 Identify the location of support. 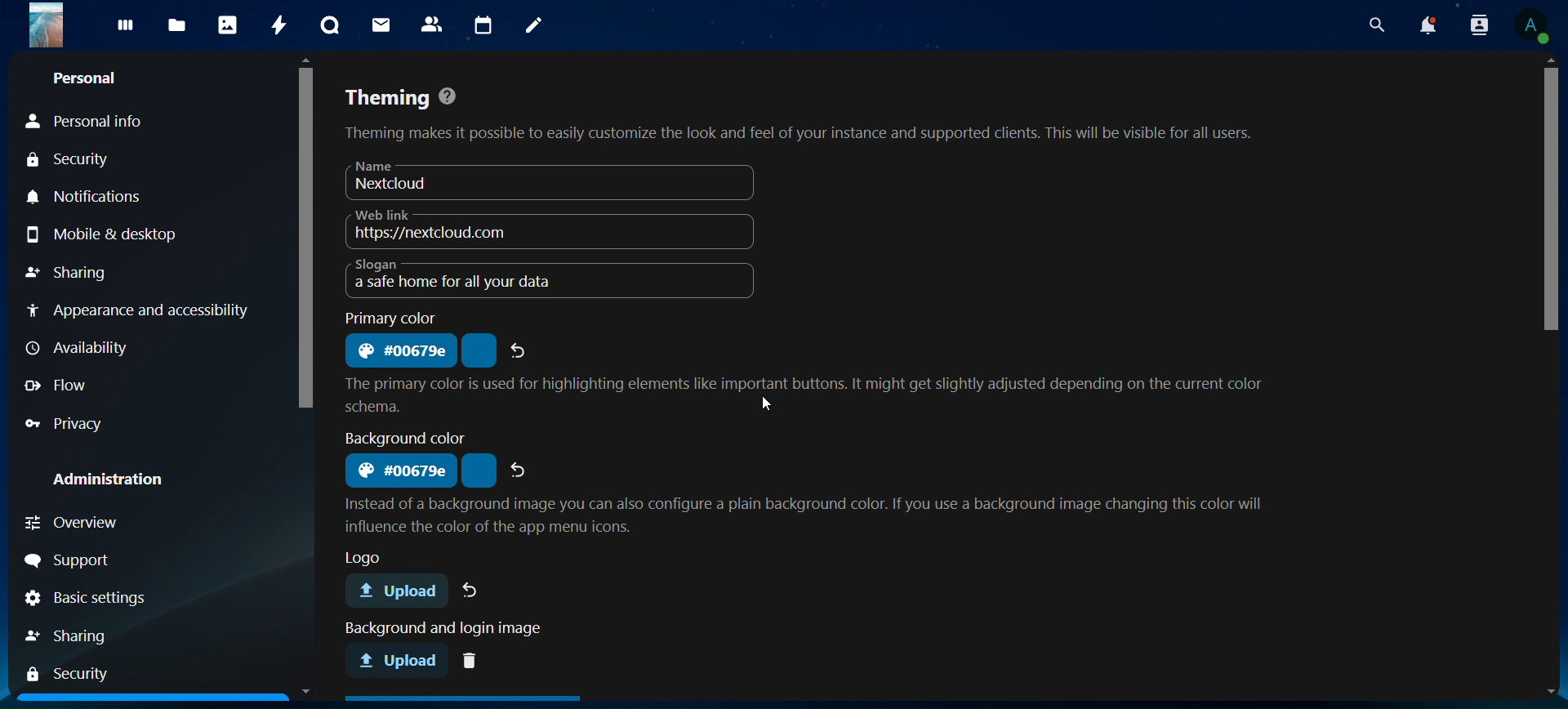
(109, 561).